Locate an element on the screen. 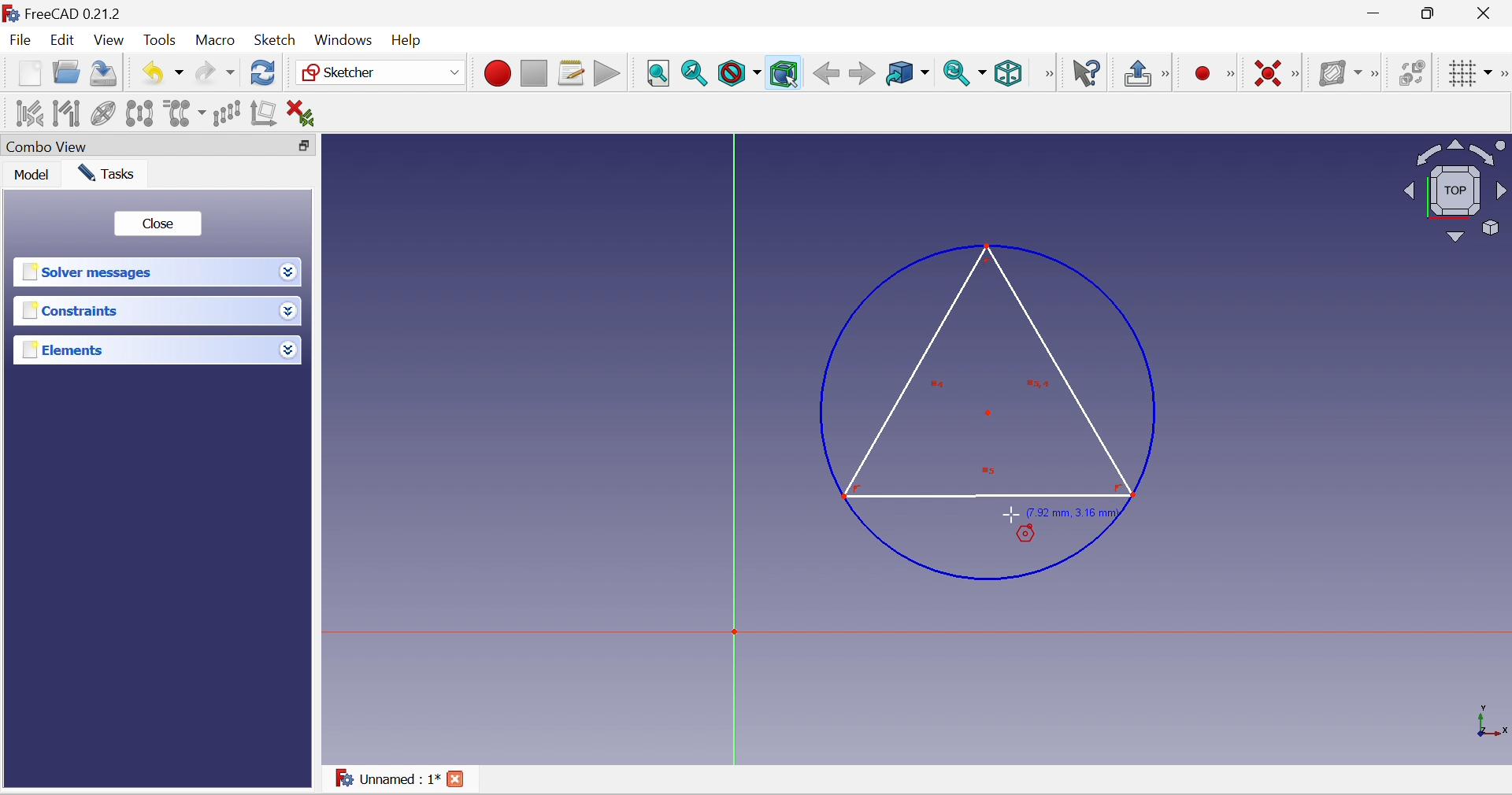 The image size is (1512, 795). Sketcher is located at coordinates (381, 72).